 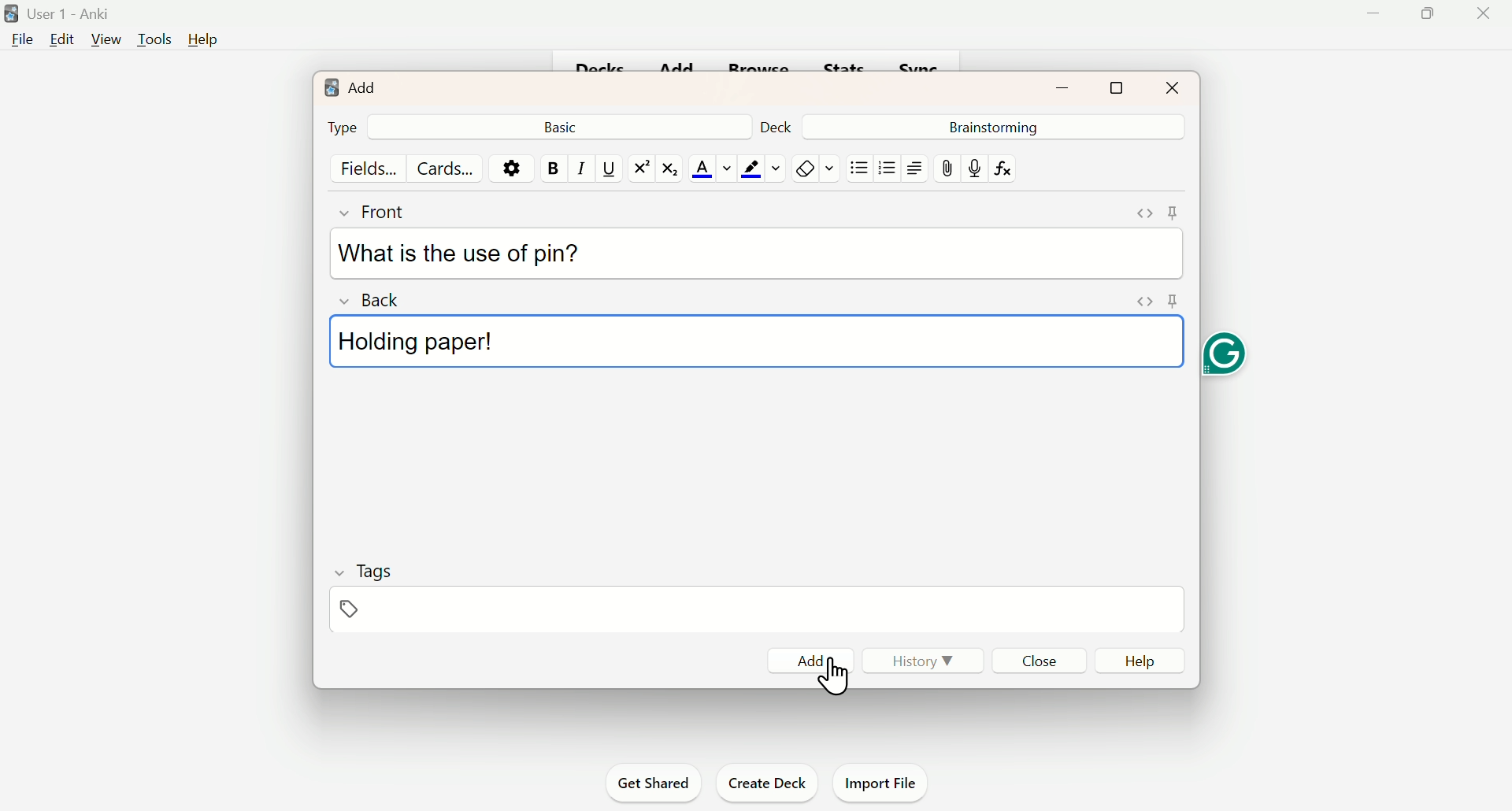 What do you see at coordinates (1043, 660) in the screenshot?
I see `Close` at bounding box center [1043, 660].